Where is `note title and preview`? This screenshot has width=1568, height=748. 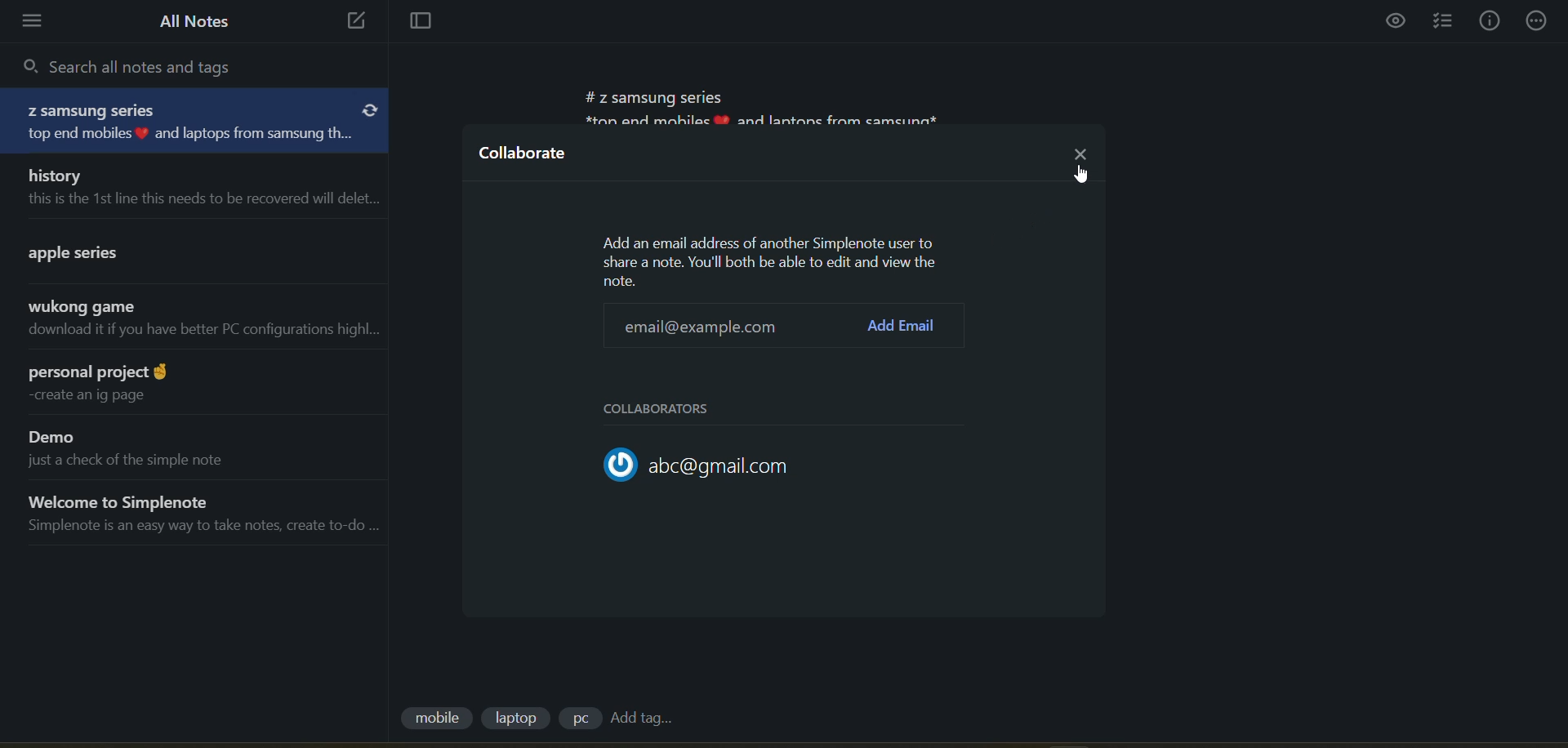 note title and preview is located at coordinates (201, 122).